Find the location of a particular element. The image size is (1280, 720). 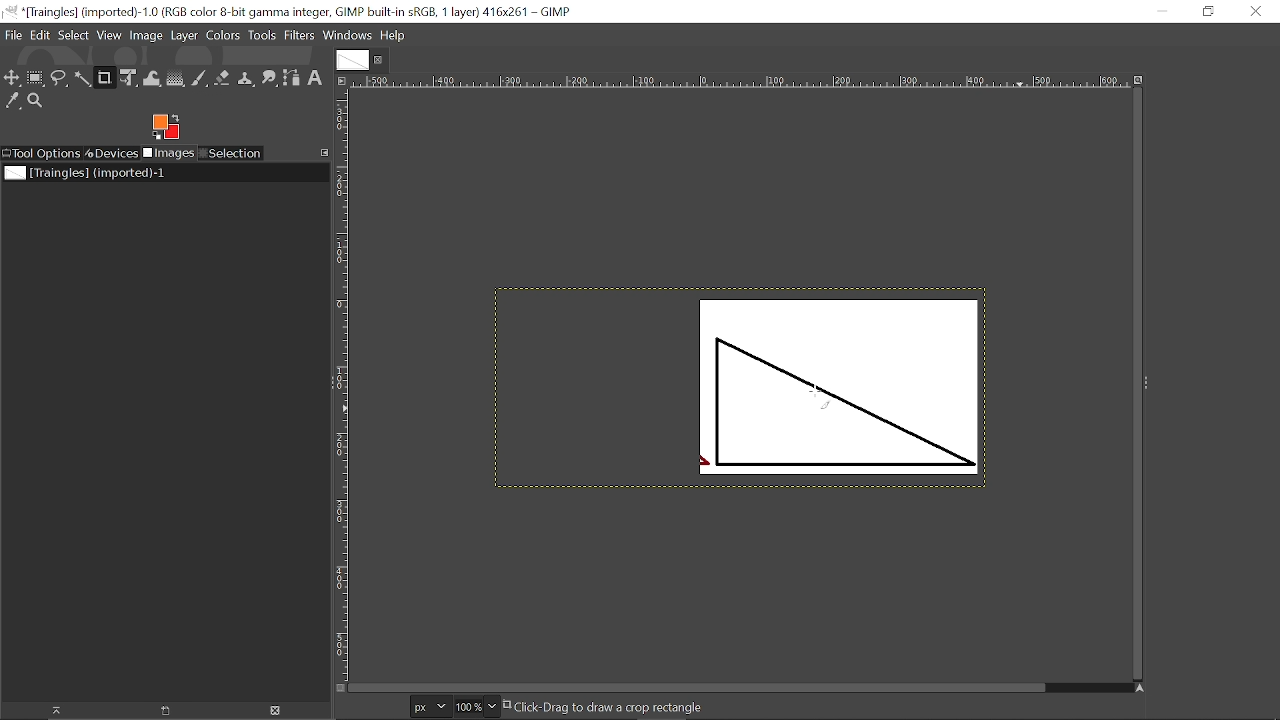

Minimize is located at coordinates (1170, 11).